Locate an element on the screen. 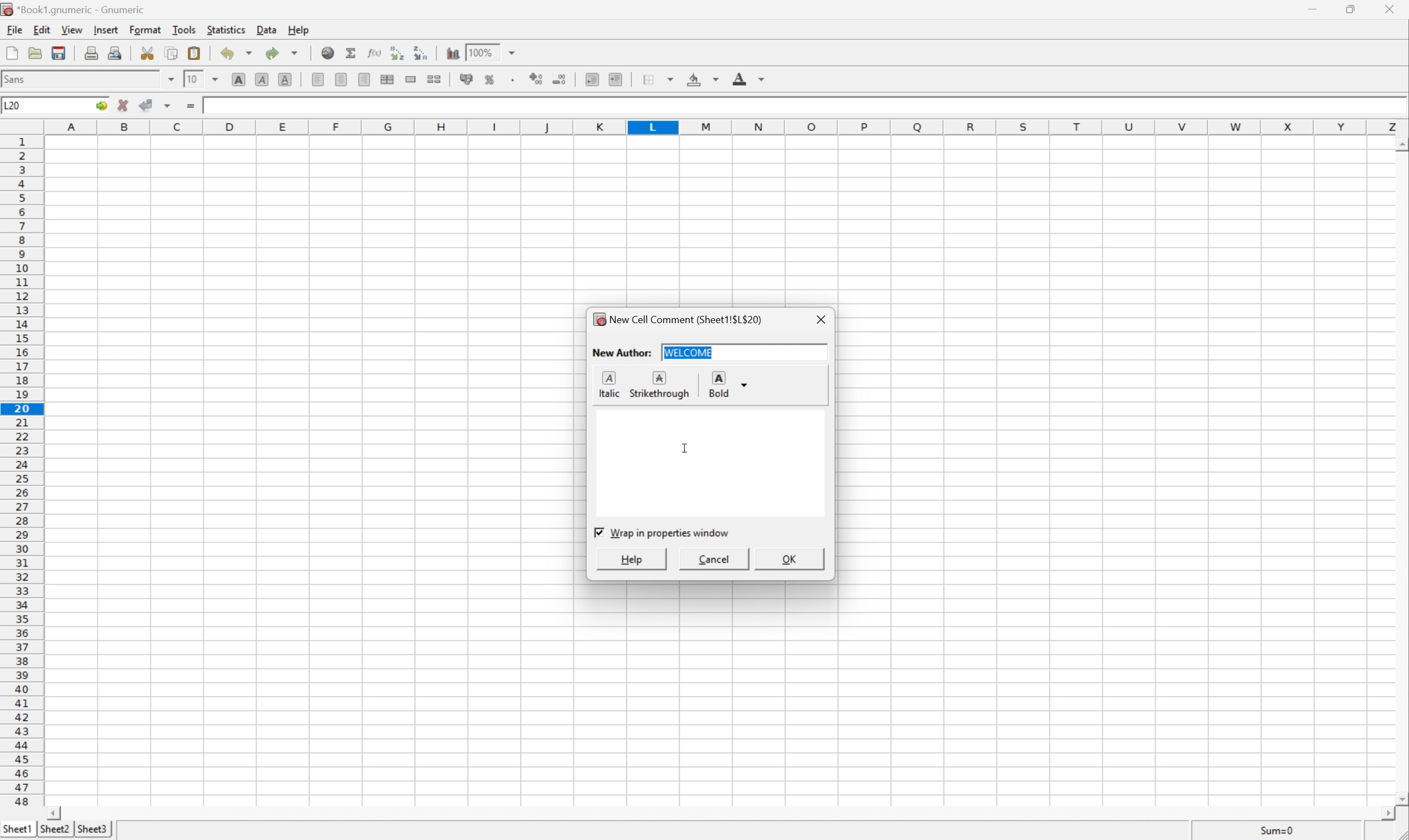 This screenshot has height=840, width=1409. Tools is located at coordinates (183, 28).